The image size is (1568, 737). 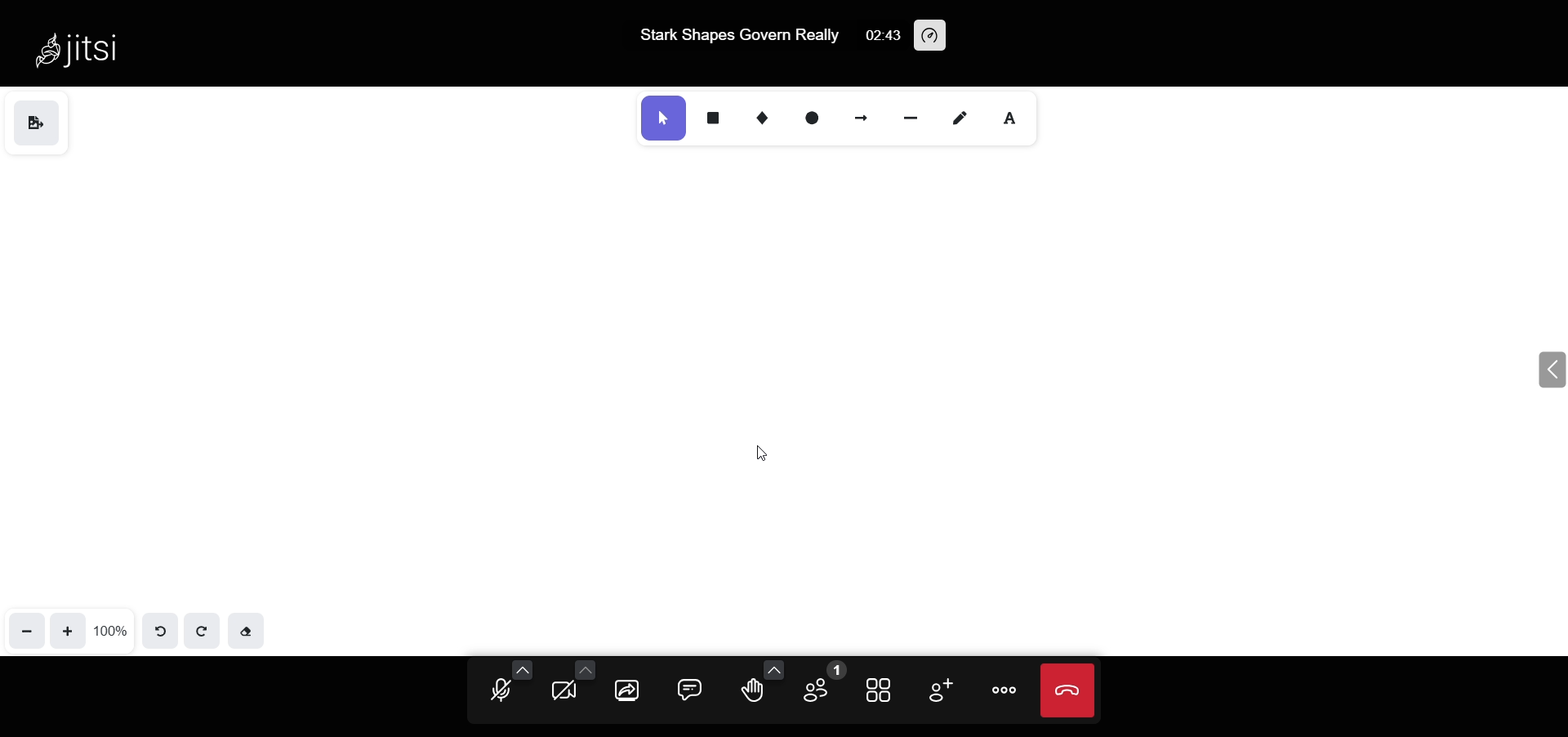 I want to click on raise hand, so click(x=751, y=694).